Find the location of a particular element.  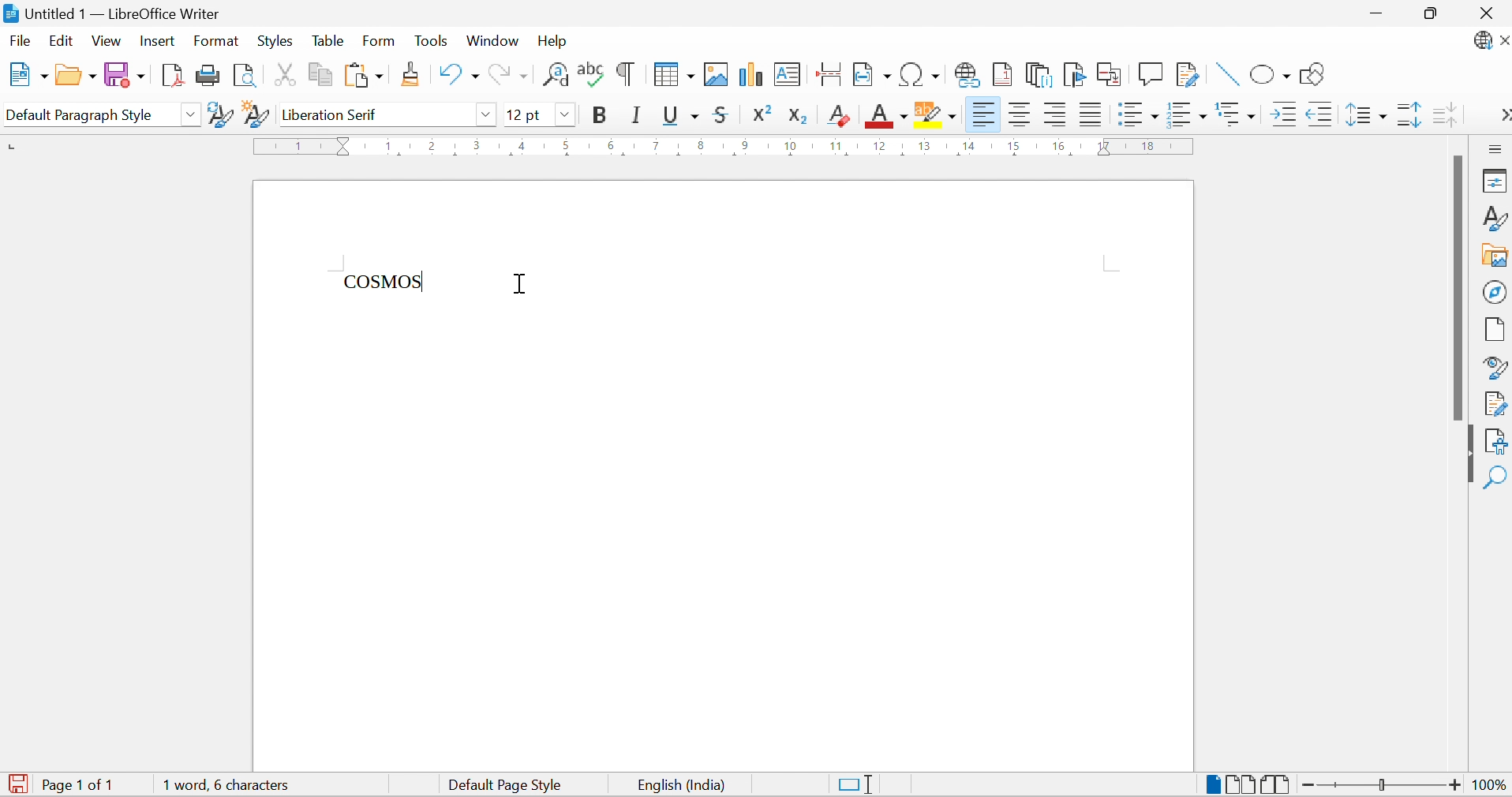

Insert Hyperlink is located at coordinates (967, 74).